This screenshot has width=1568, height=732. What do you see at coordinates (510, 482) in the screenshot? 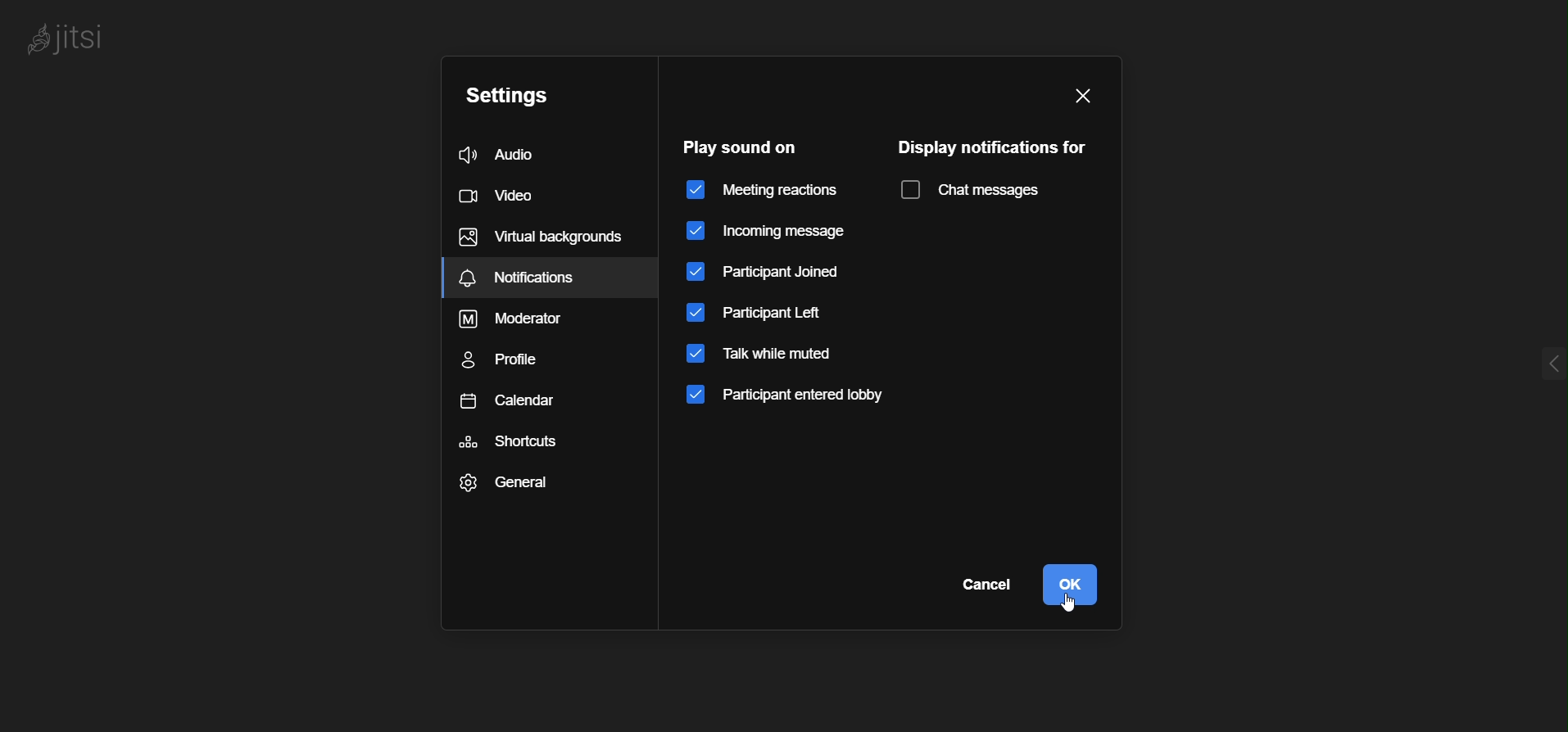
I see `general` at bounding box center [510, 482].